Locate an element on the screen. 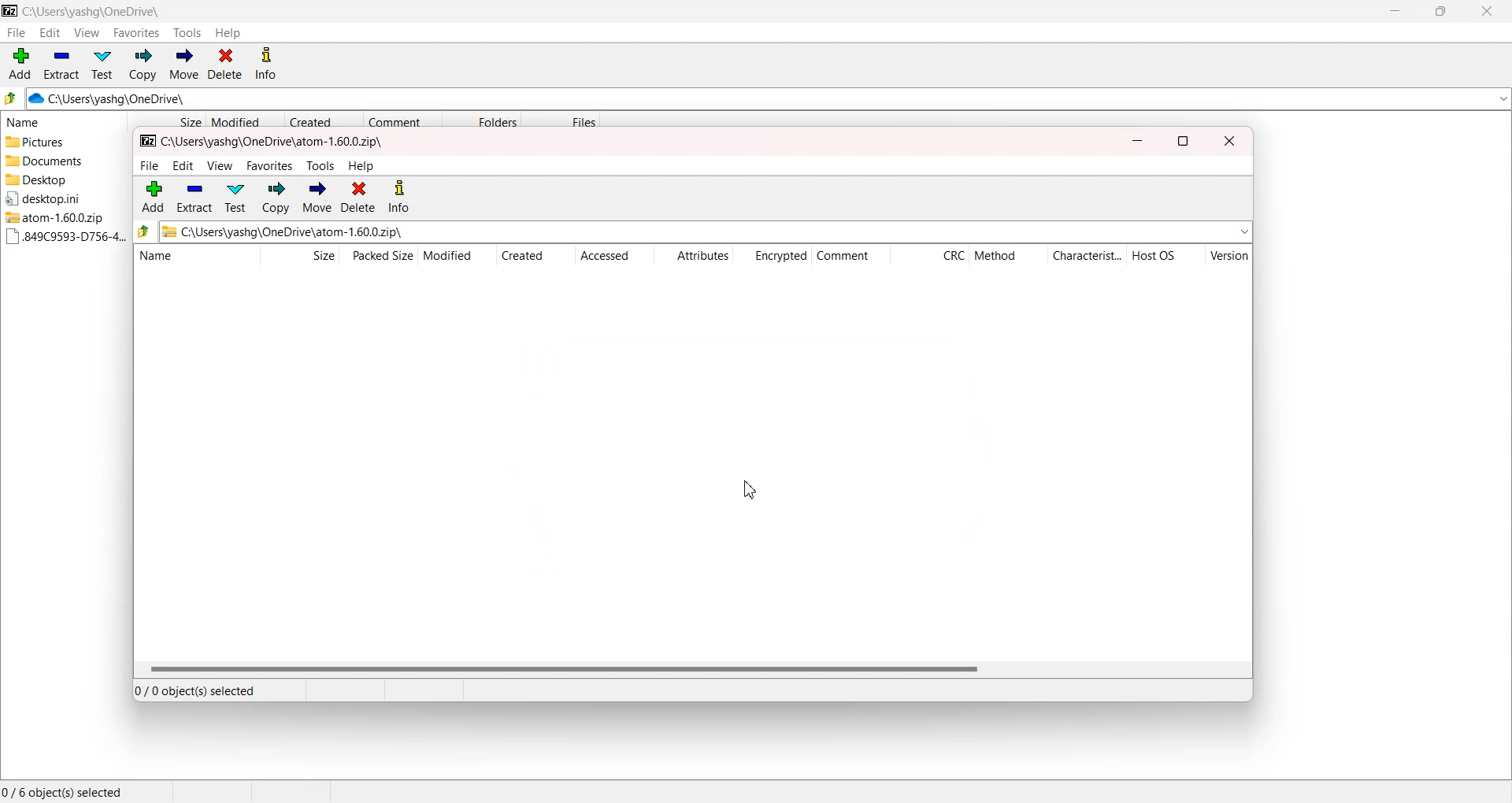  Info is located at coordinates (265, 65).